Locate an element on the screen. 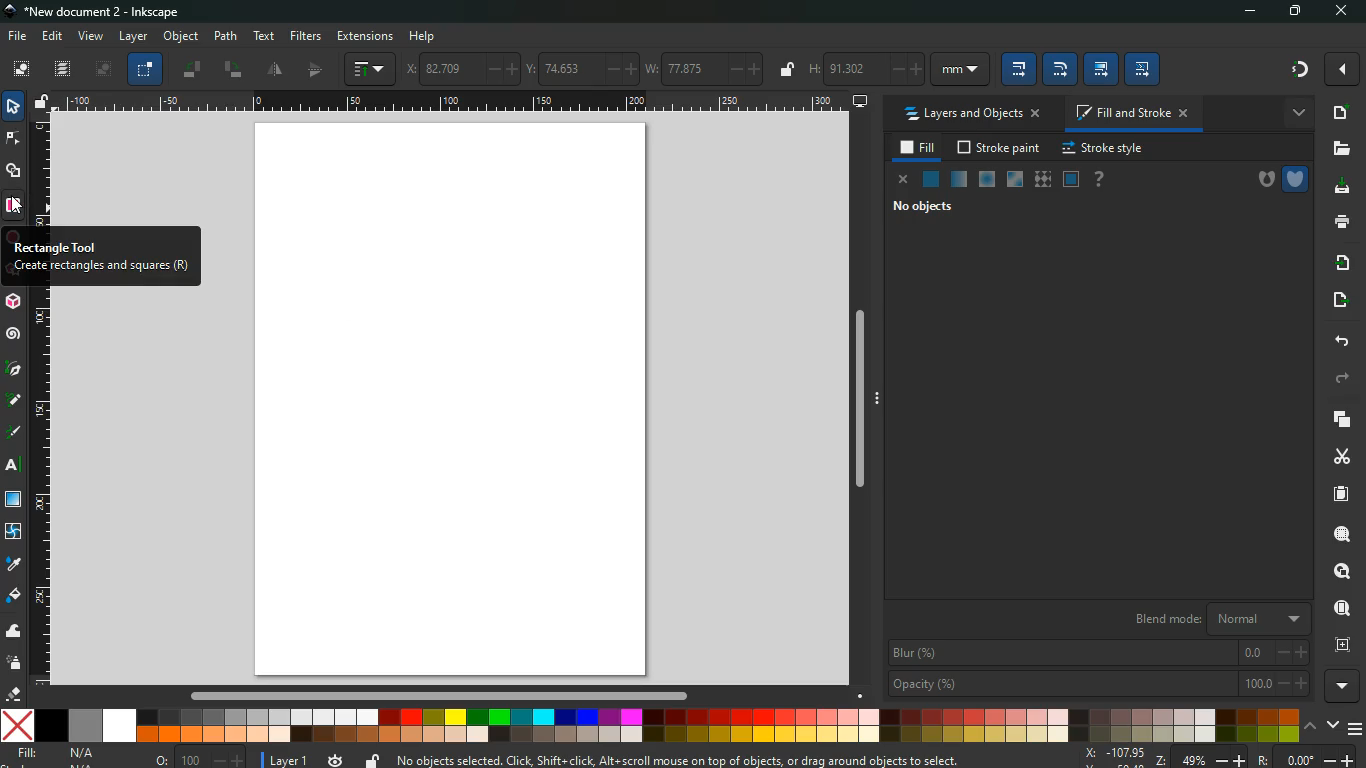 Image resolution: width=1366 pixels, height=768 pixels. edit is located at coordinates (1141, 70).